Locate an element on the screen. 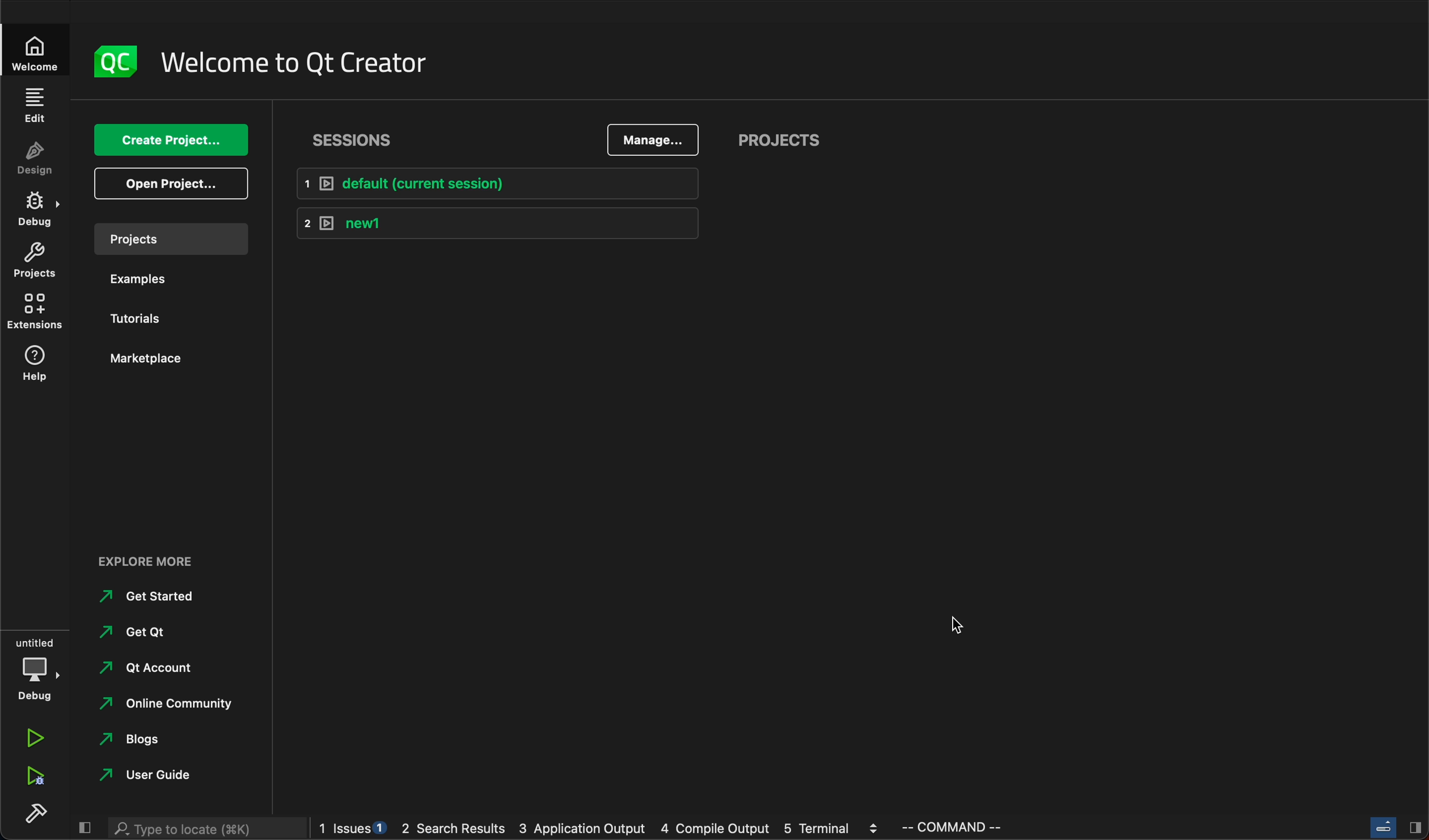 This screenshot has width=1429, height=840. explore is located at coordinates (149, 561).